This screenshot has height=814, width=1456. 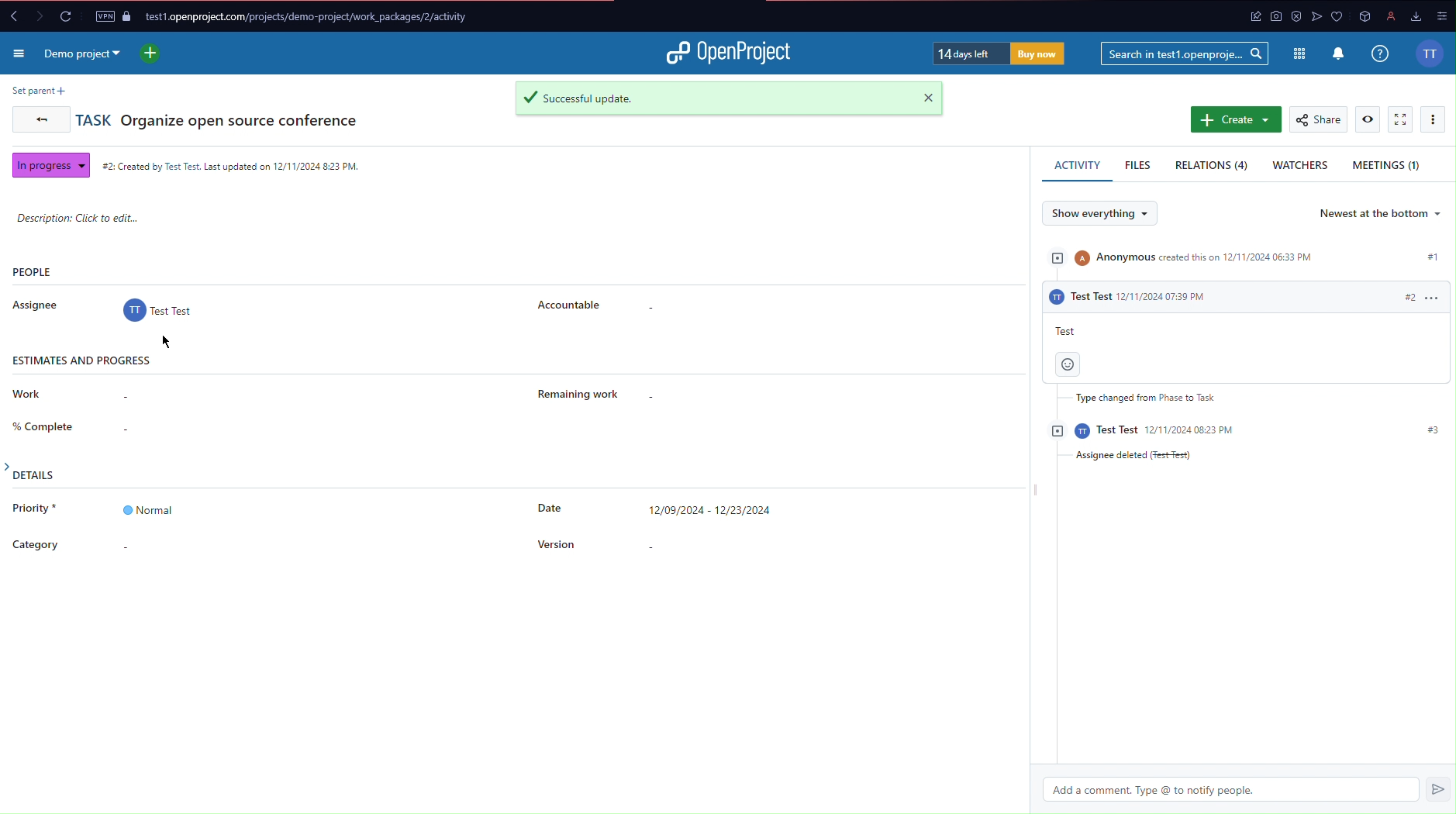 What do you see at coordinates (39, 305) in the screenshot?
I see `Assignee` at bounding box center [39, 305].